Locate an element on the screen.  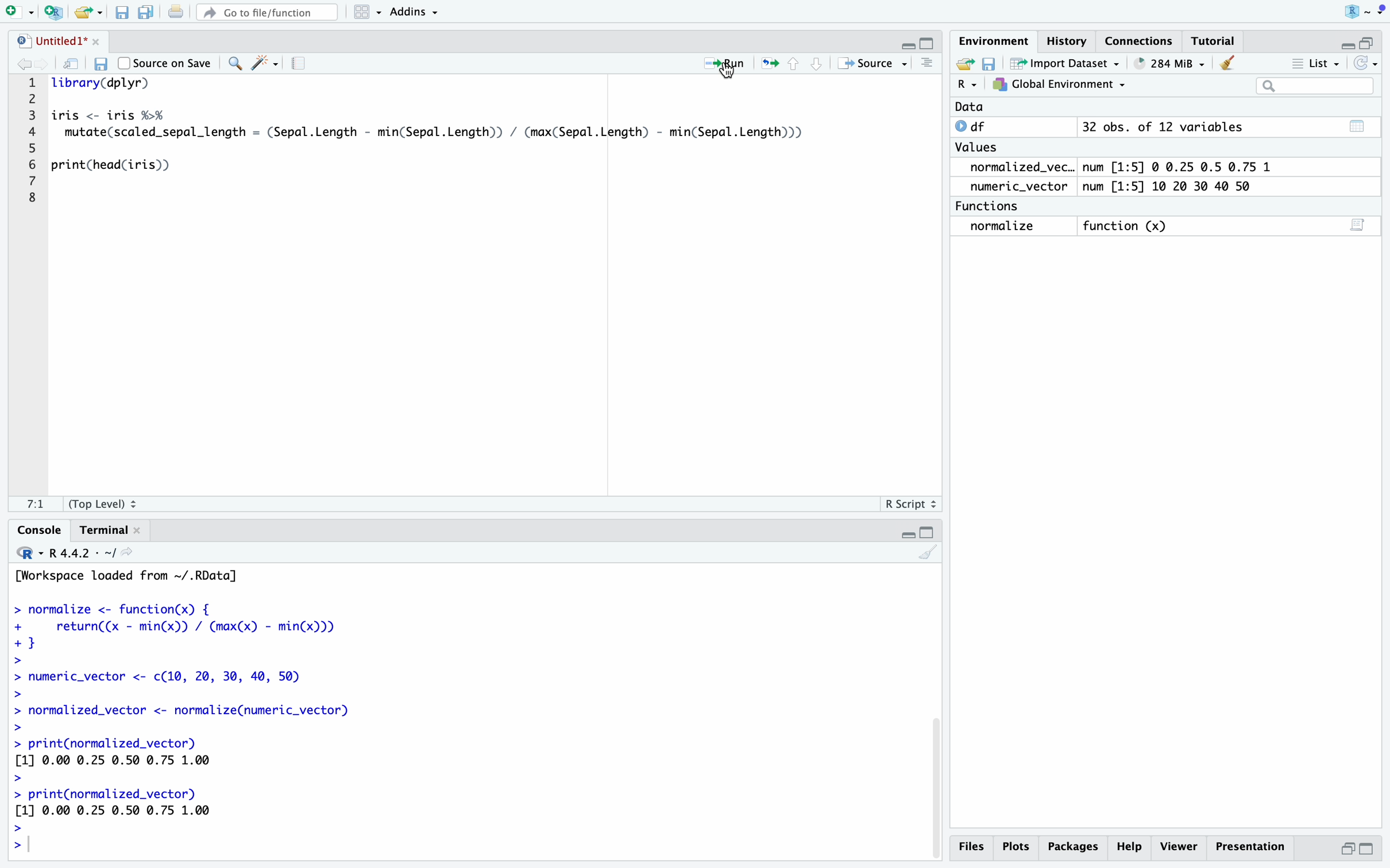
Untitled is located at coordinates (55, 41).